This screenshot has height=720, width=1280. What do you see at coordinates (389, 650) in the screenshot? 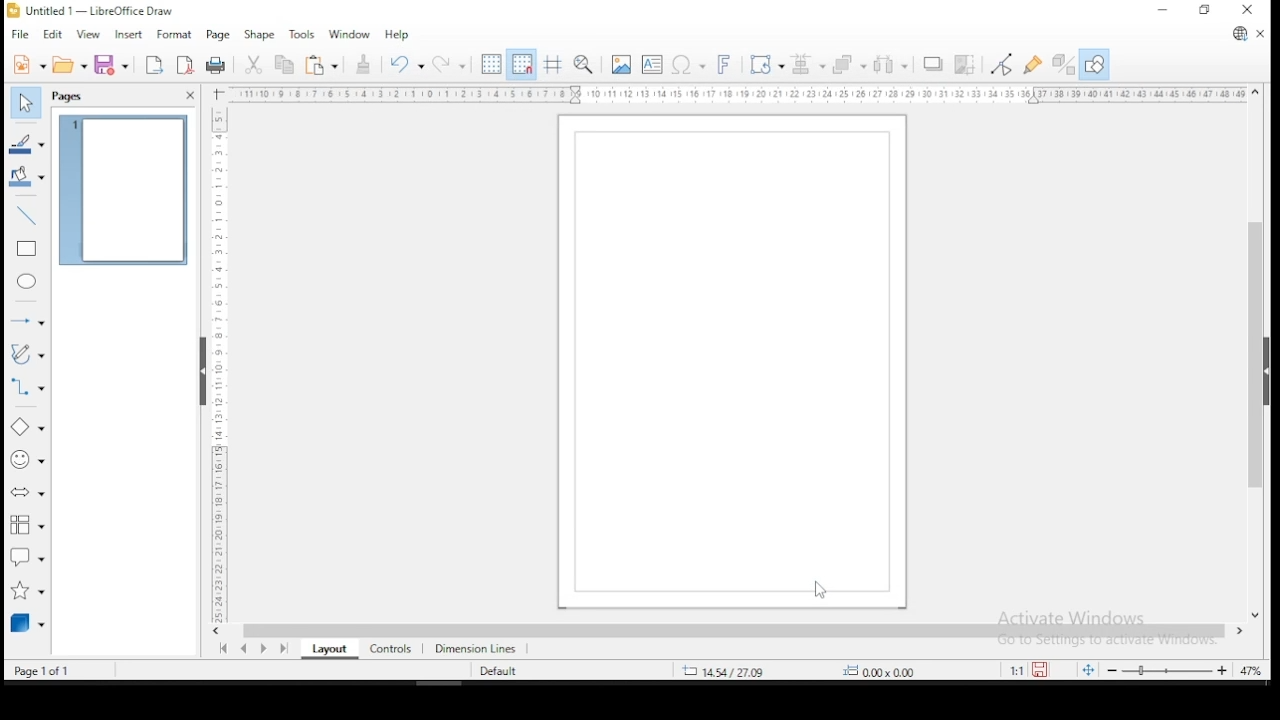
I see `controls` at bounding box center [389, 650].